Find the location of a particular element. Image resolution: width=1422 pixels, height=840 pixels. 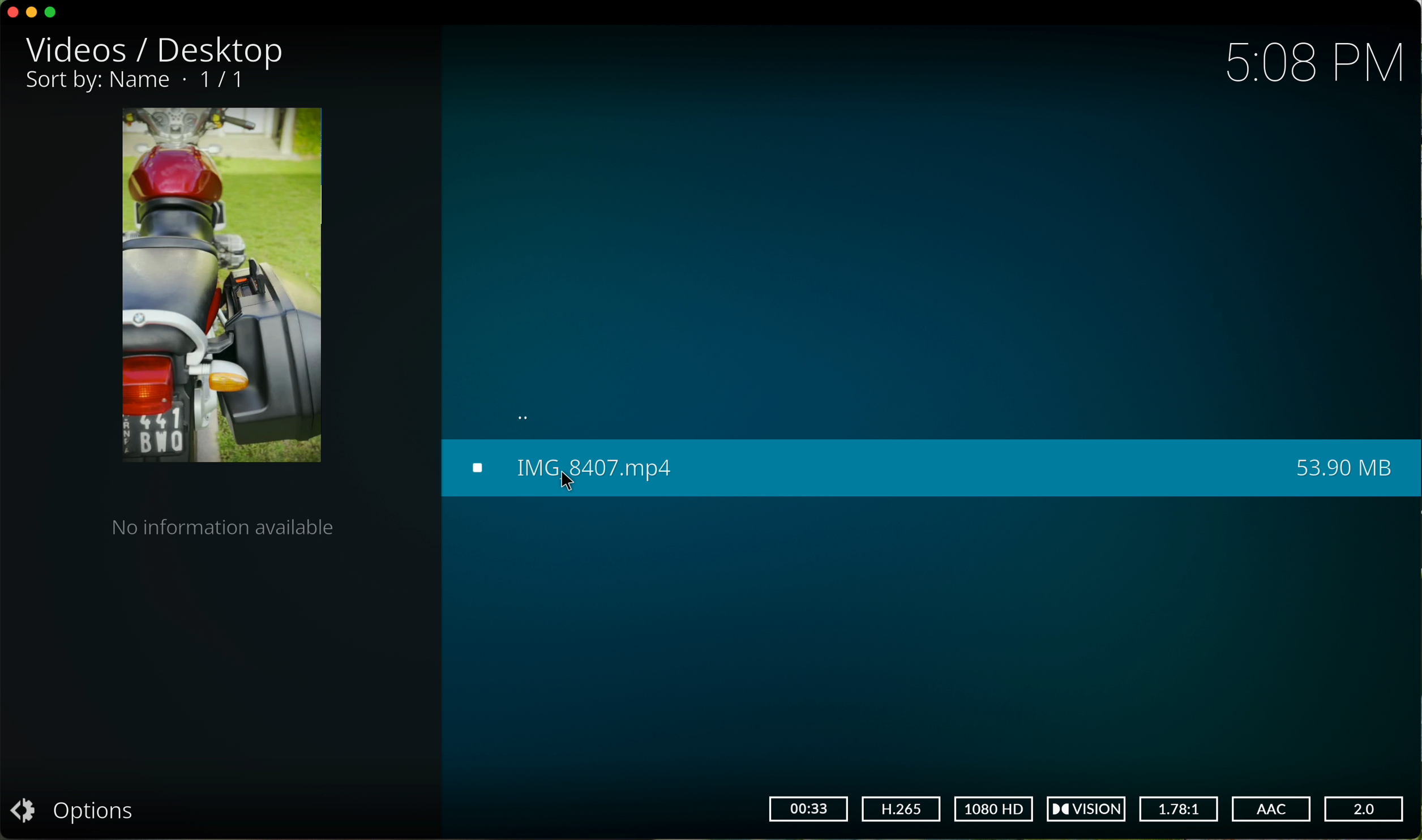

maximize is located at coordinates (52, 12).